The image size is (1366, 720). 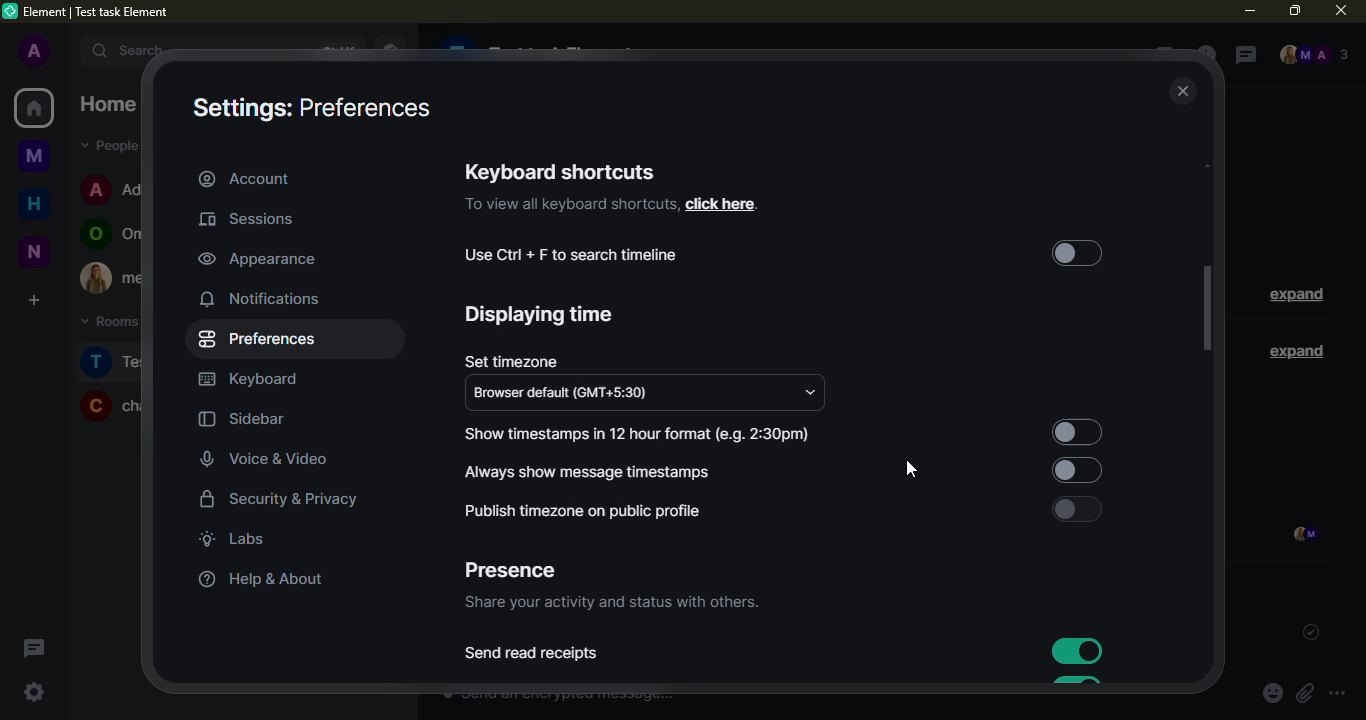 What do you see at coordinates (11, 11) in the screenshot?
I see `logo` at bounding box center [11, 11].